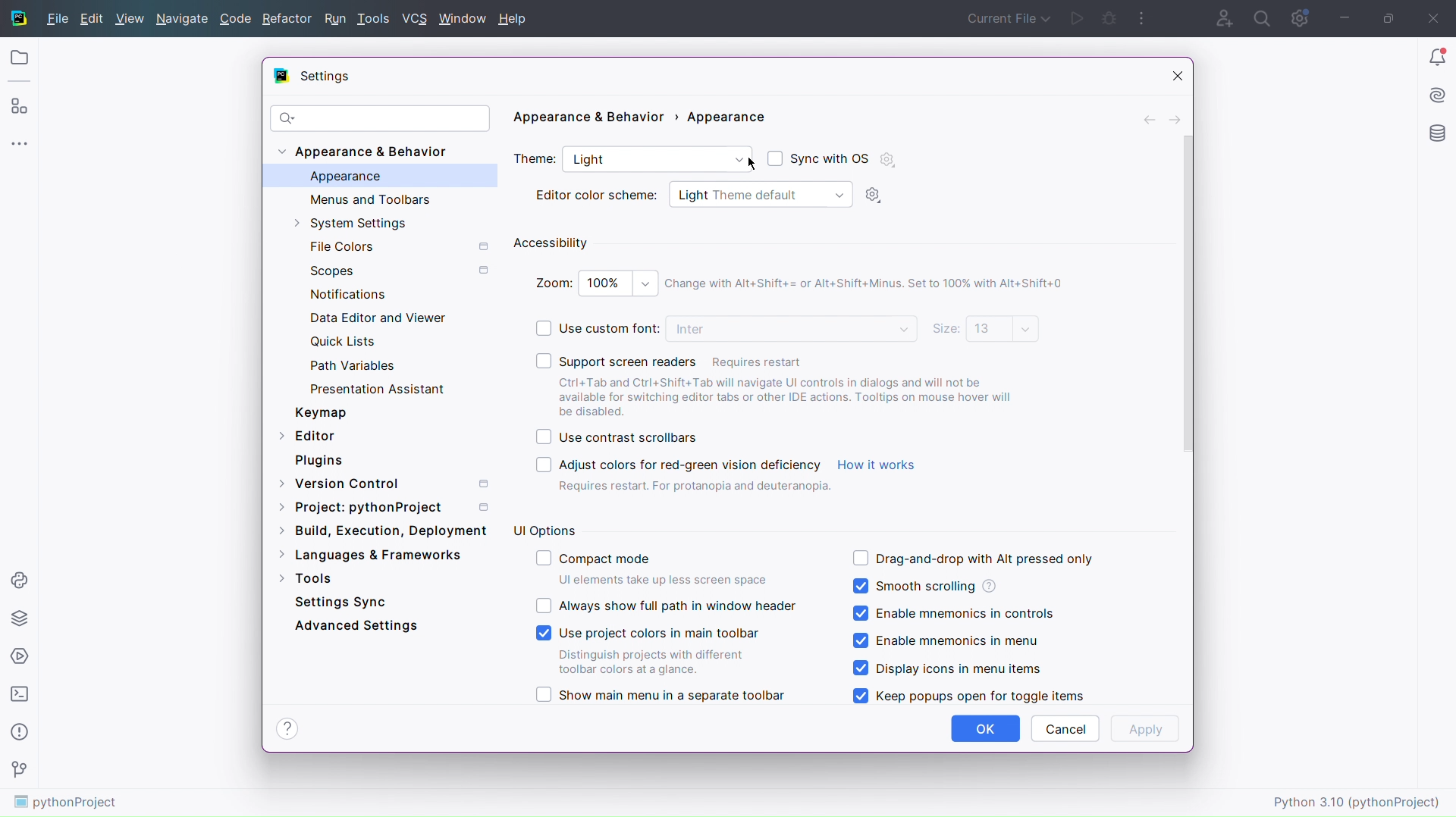 The image size is (1456, 817). Describe the element at coordinates (670, 465) in the screenshot. I see `Adjust colors for red-green vision deficiency` at that location.